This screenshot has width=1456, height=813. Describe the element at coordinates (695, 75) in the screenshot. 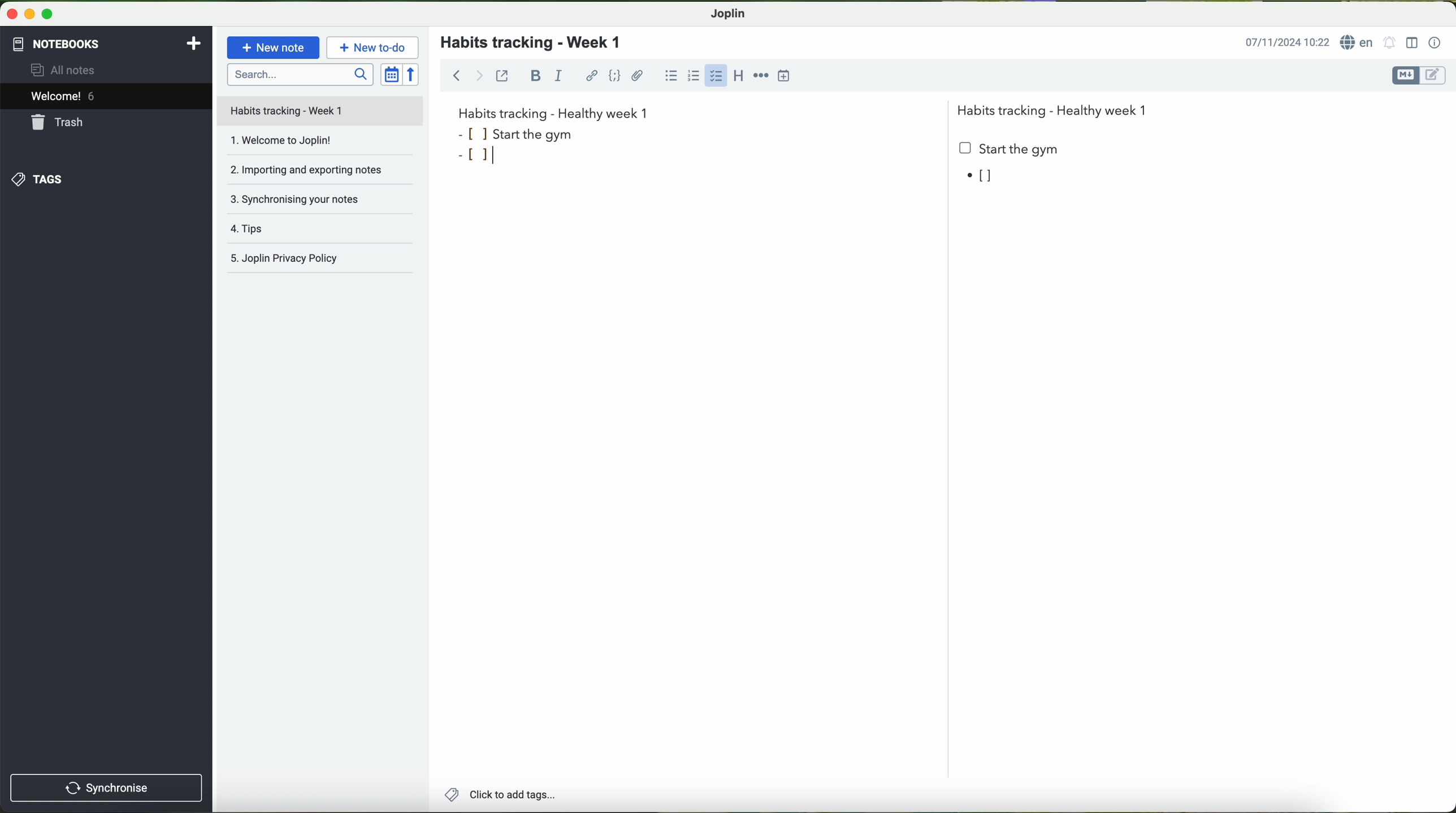

I see `numbered list` at that location.